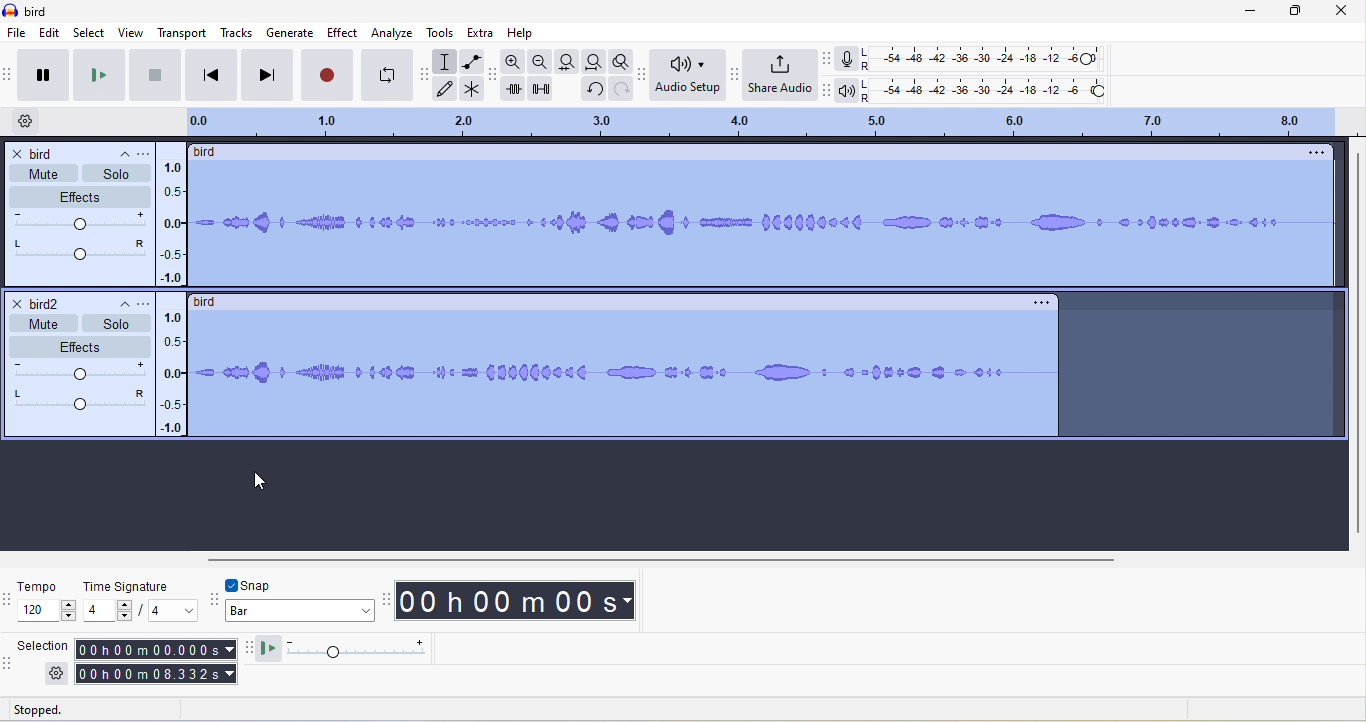 Image resolution: width=1366 pixels, height=722 pixels. I want to click on selection tool, so click(447, 63).